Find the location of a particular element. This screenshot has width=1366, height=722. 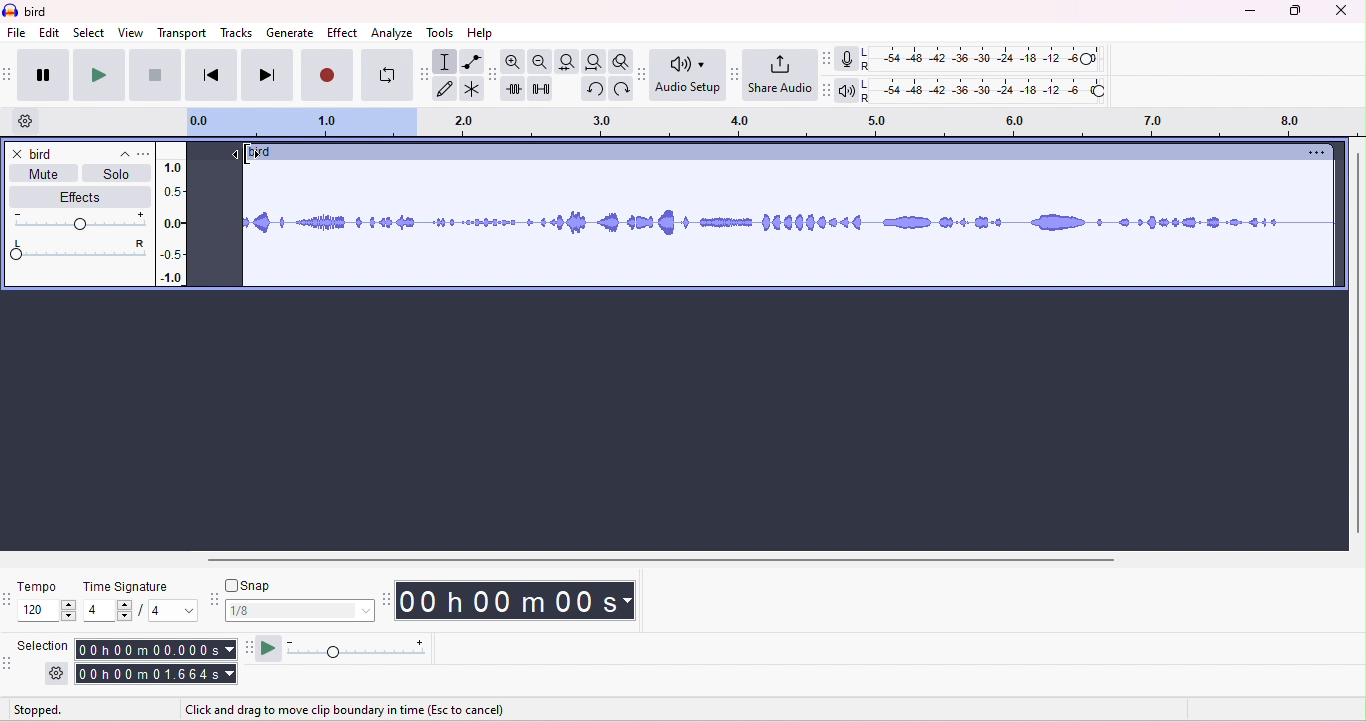

tempo tool bar is located at coordinates (9, 599).